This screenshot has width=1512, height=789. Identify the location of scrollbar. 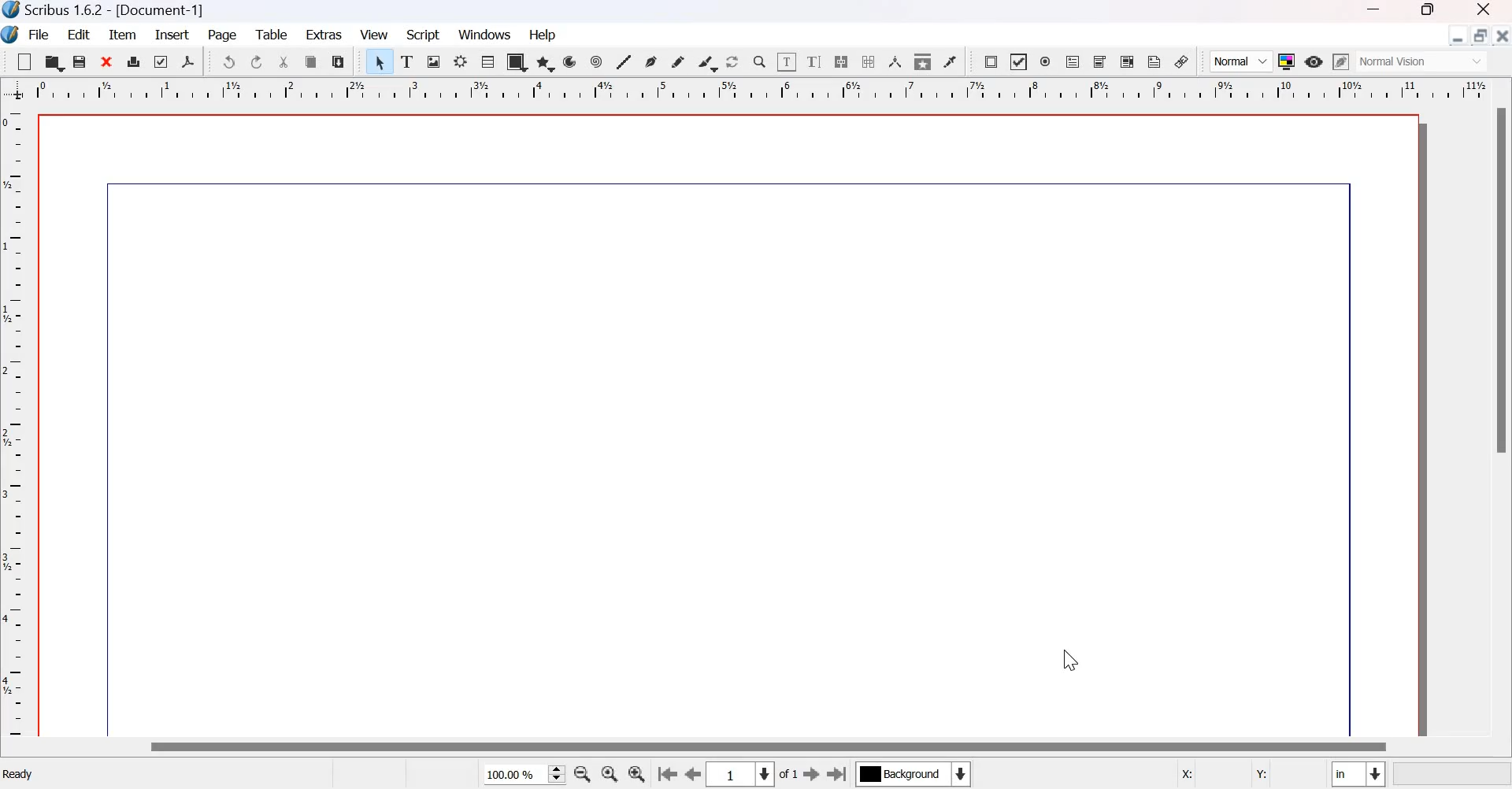
(1499, 283).